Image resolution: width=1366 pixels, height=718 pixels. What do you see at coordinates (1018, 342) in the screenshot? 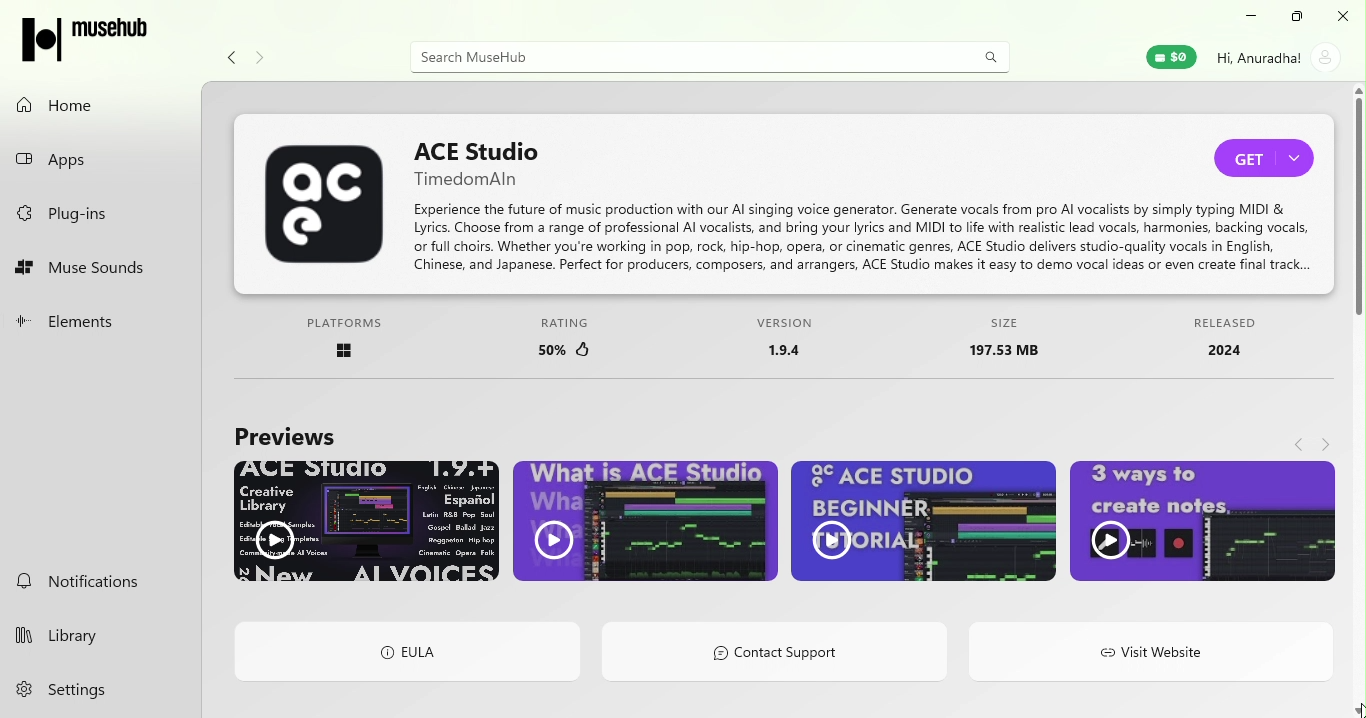
I see `Size` at bounding box center [1018, 342].